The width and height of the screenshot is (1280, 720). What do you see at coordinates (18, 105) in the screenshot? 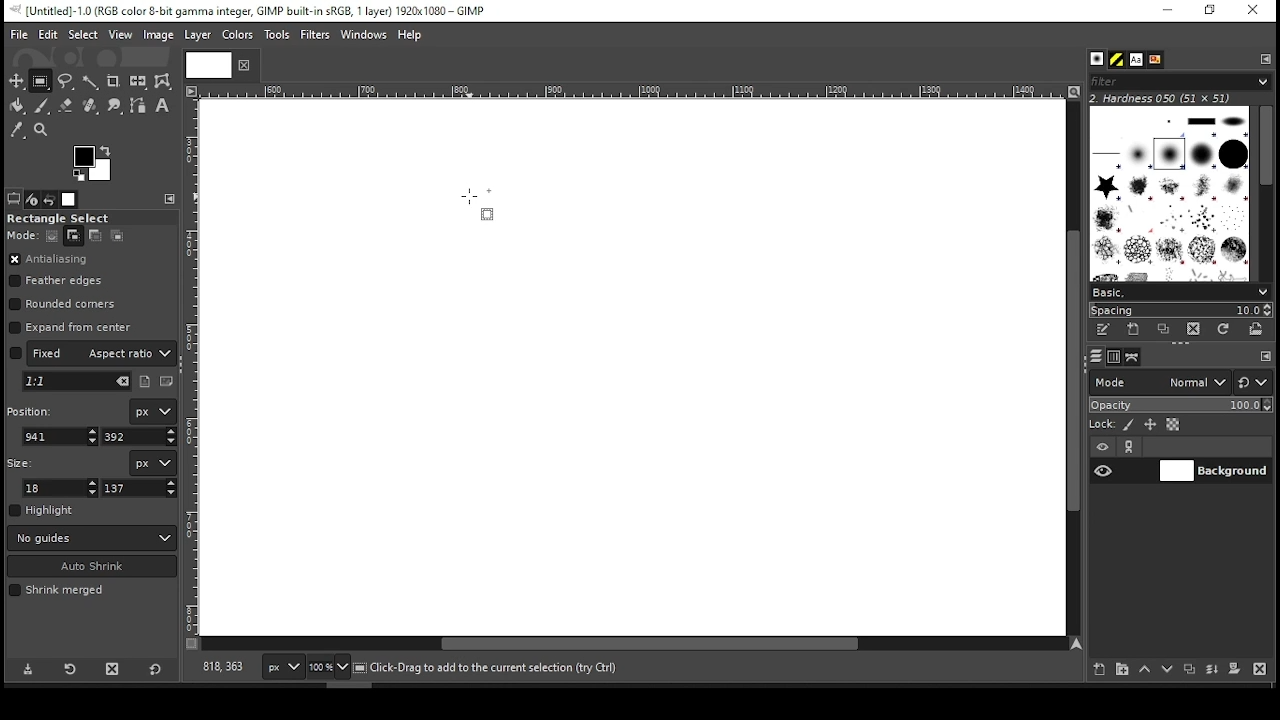
I see `paint bucket tool` at bounding box center [18, 105].